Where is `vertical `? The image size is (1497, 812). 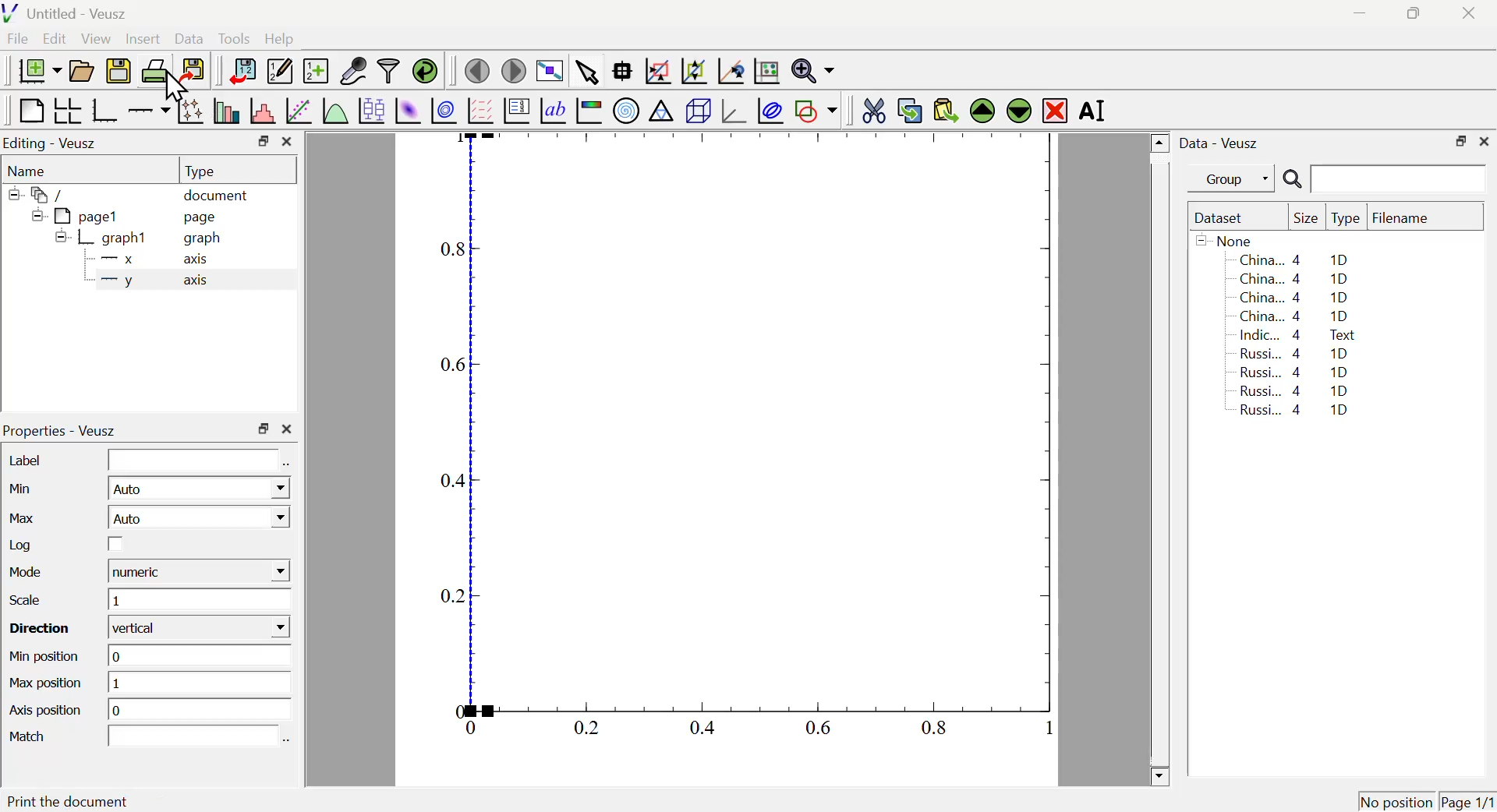 vertical  is located at coordinates (202, 628).